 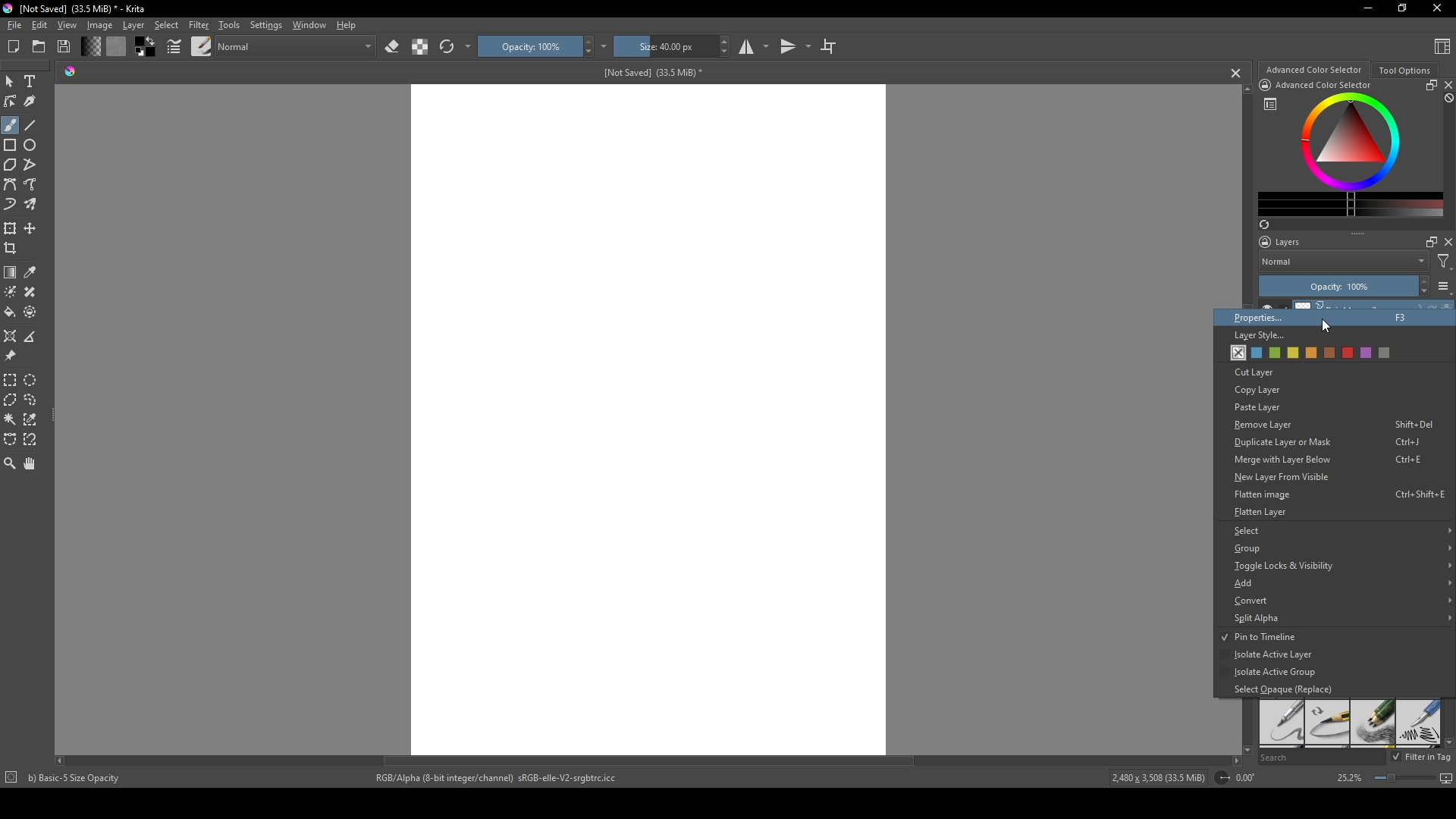 What do you see at coordinates (1344, 261) in the screenshot?
I see `Normal` at bounding box center [1344, 261].